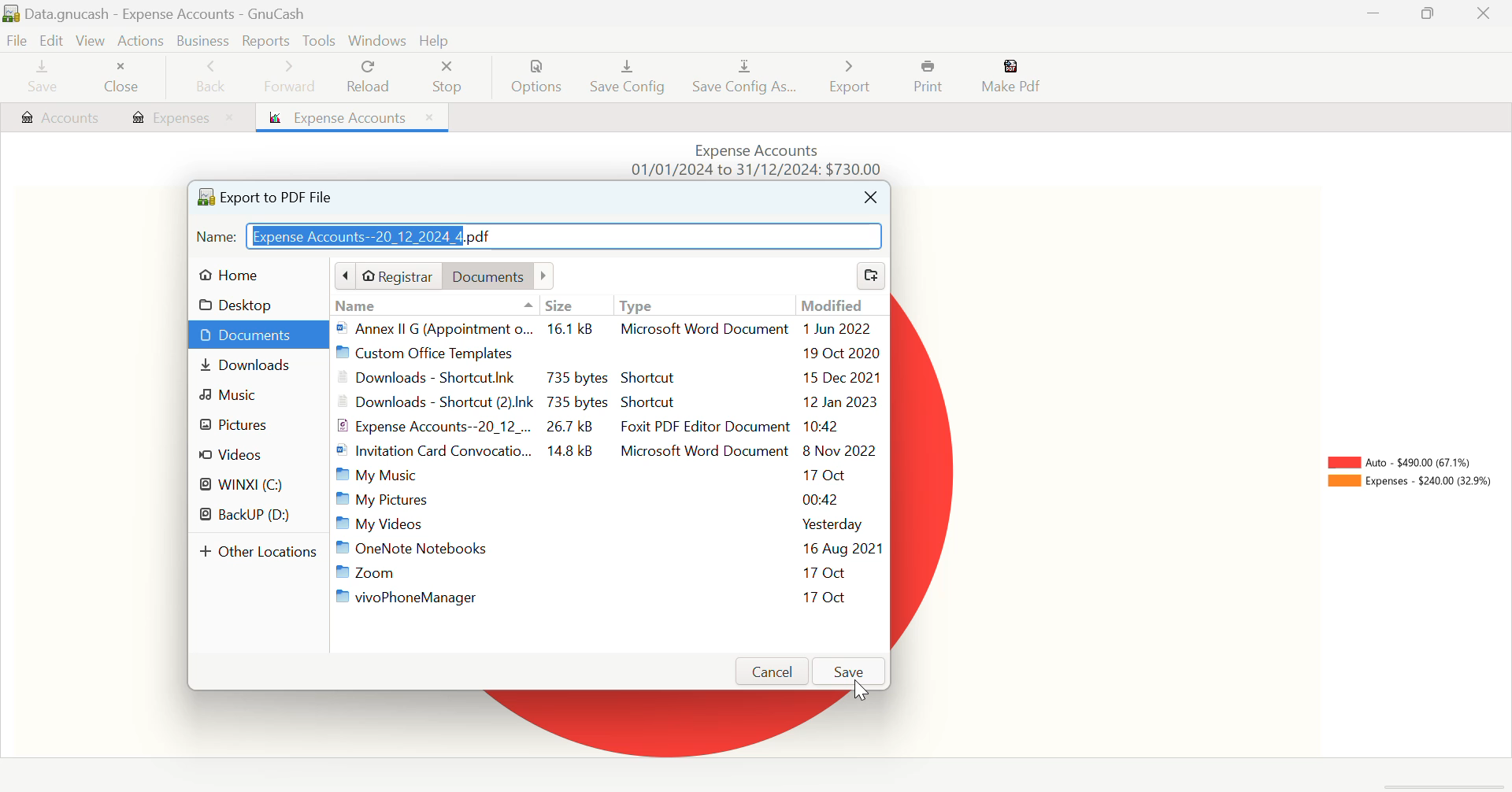  Describe the element at coordinates (861, 690) in the screenshot. I see `Cursor on Save` at that location.